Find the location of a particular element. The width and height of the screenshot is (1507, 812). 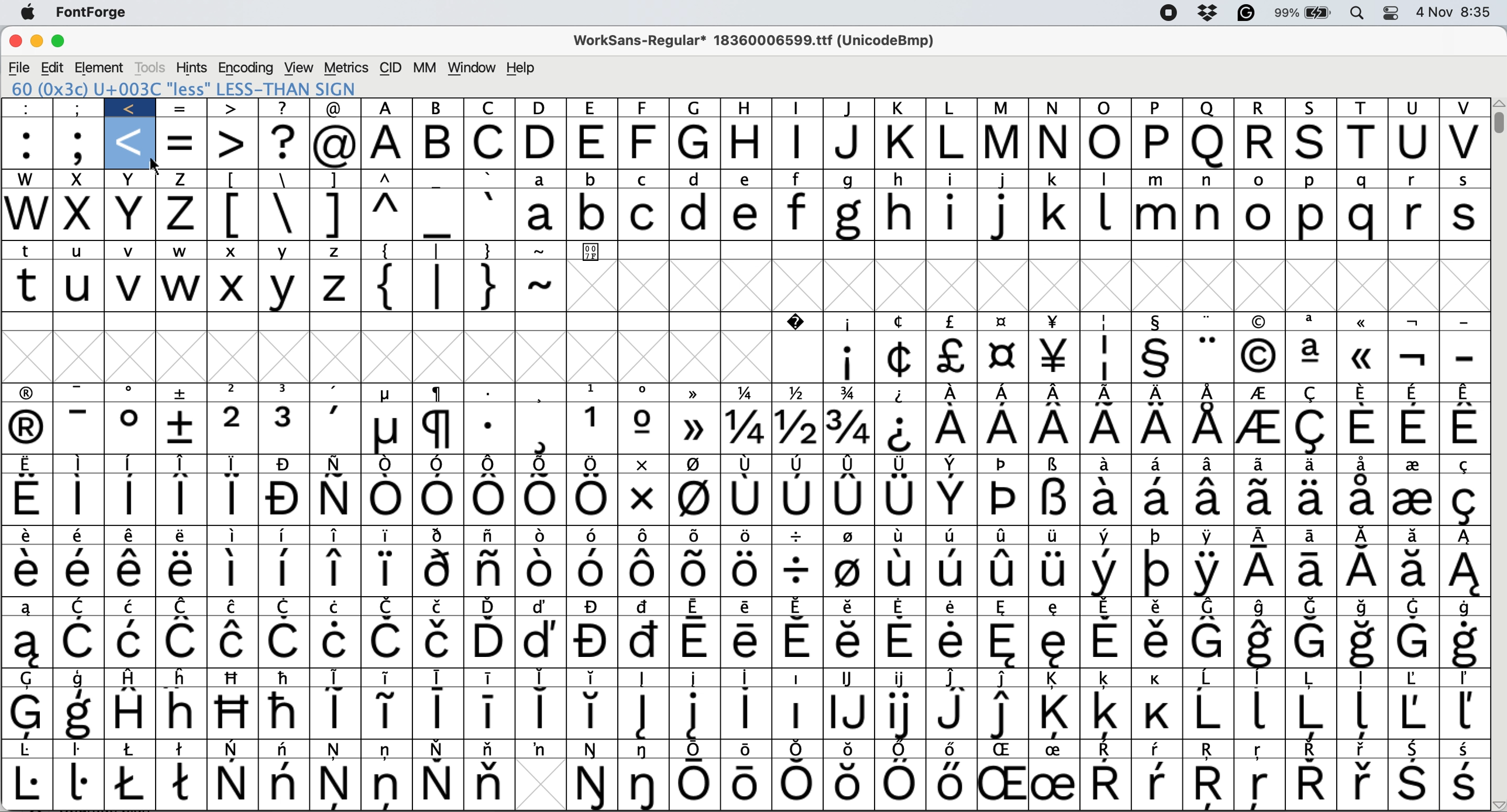

Symbol is located at coordinates (952, 427).